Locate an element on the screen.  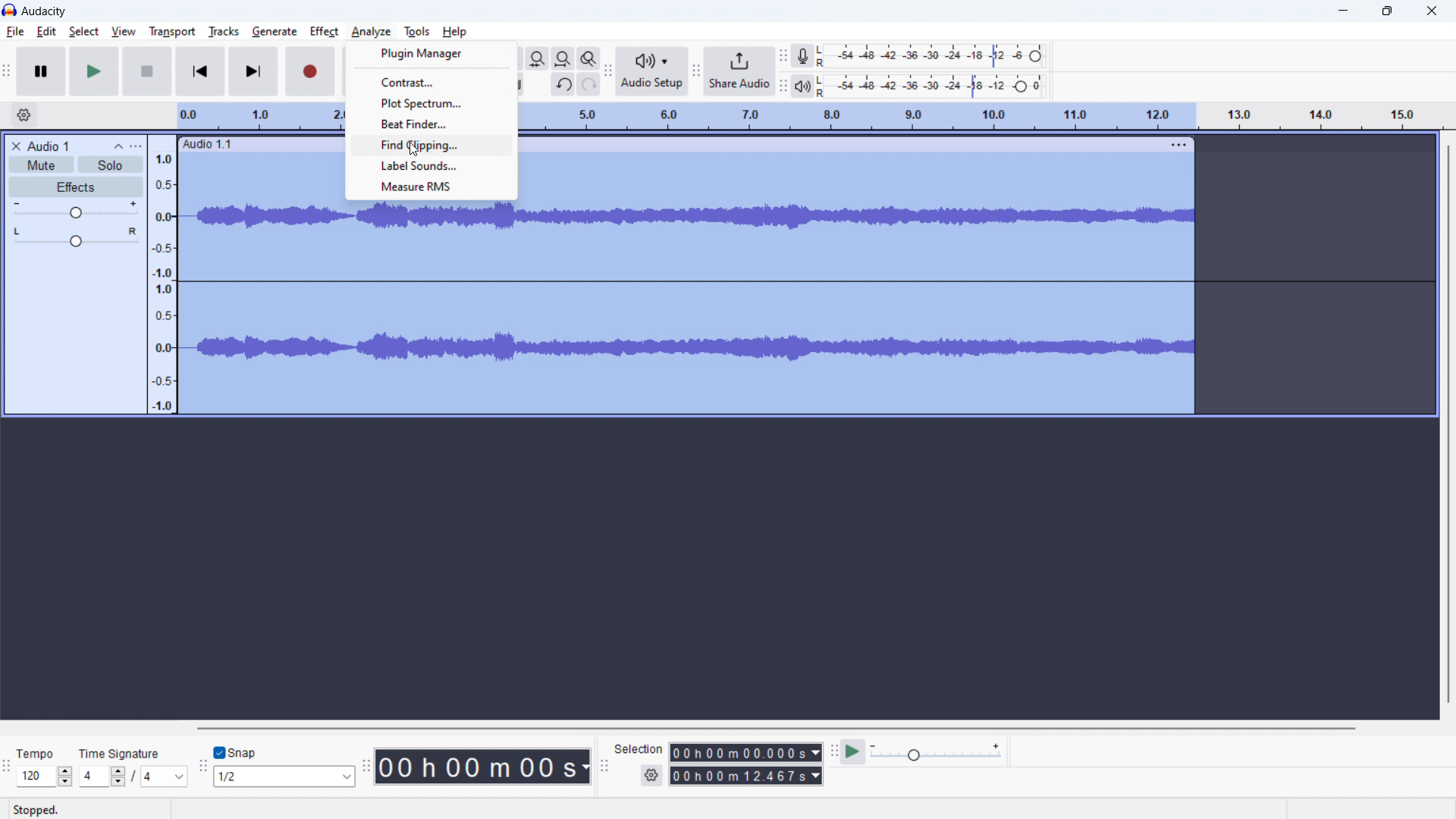
snapping toolbar is located at coordinates (202, 766).